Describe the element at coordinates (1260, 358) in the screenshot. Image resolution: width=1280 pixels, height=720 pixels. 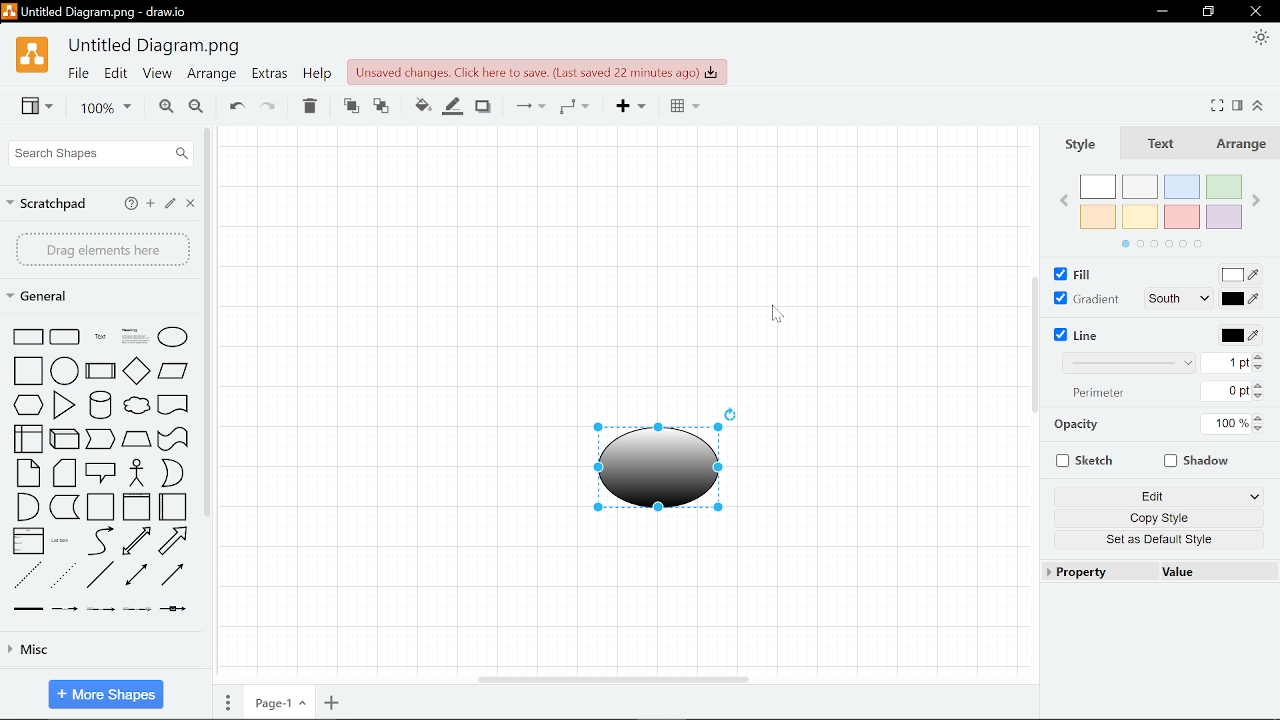
I see `increase line width` at that location.